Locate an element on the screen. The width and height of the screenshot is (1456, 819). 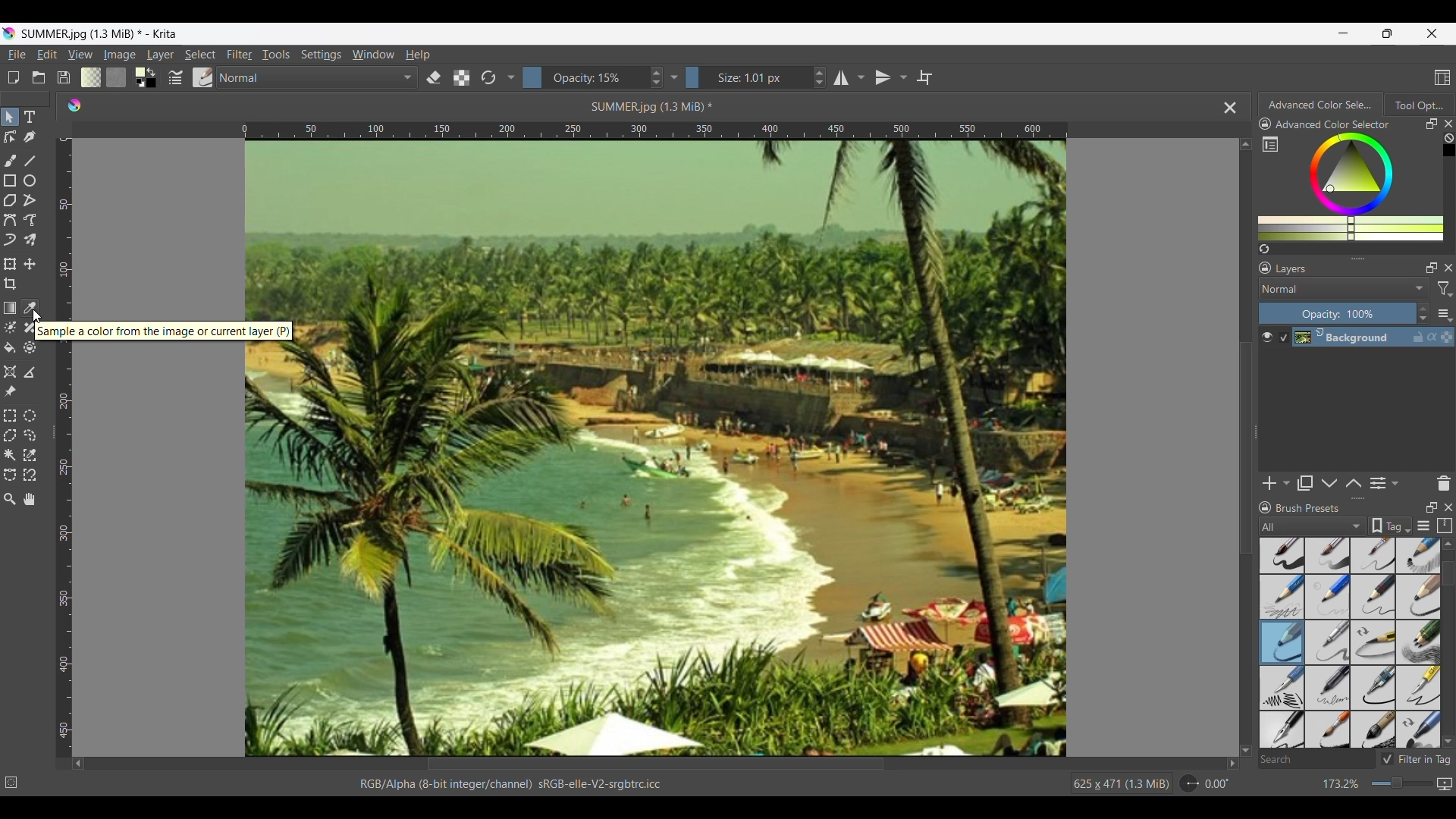
Brush Presets is located at coordinates (1308, 508).